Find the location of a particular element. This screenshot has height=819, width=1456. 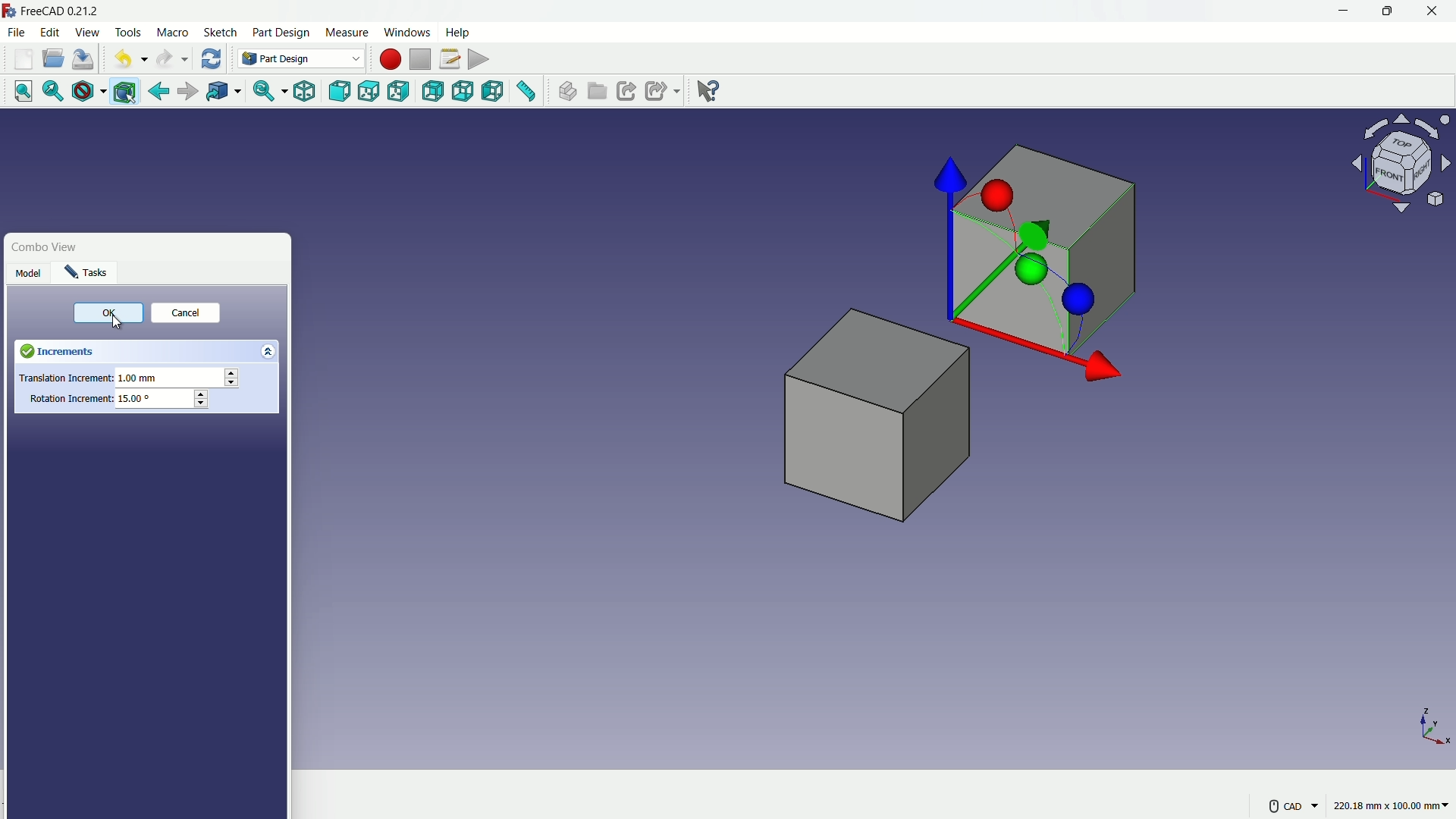

create group is located at coordinates (598, 93).